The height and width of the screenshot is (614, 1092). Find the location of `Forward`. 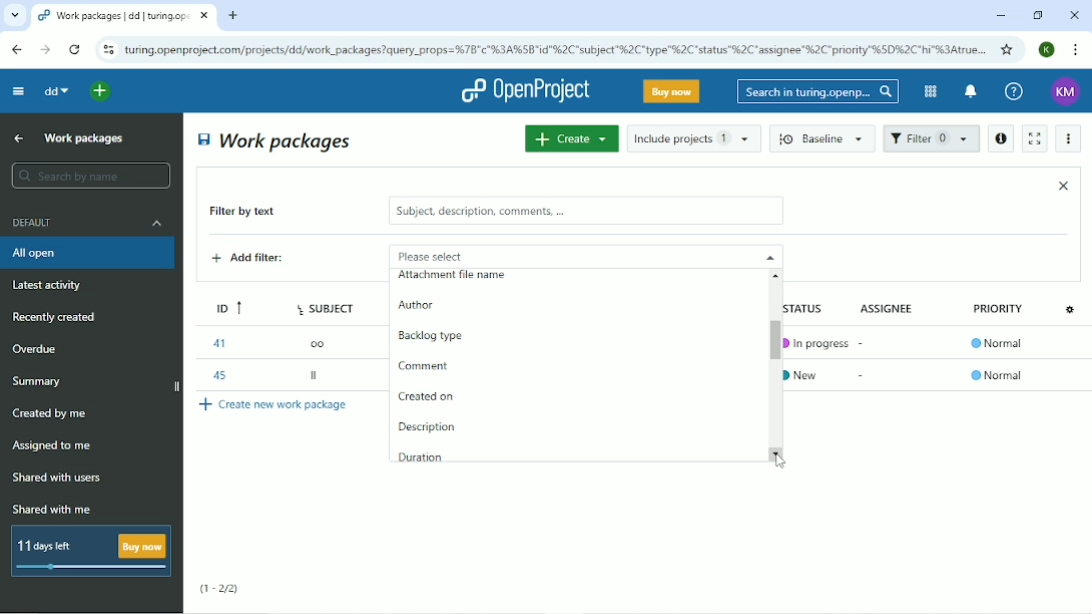

Forward is located at coordinates (43, 50).